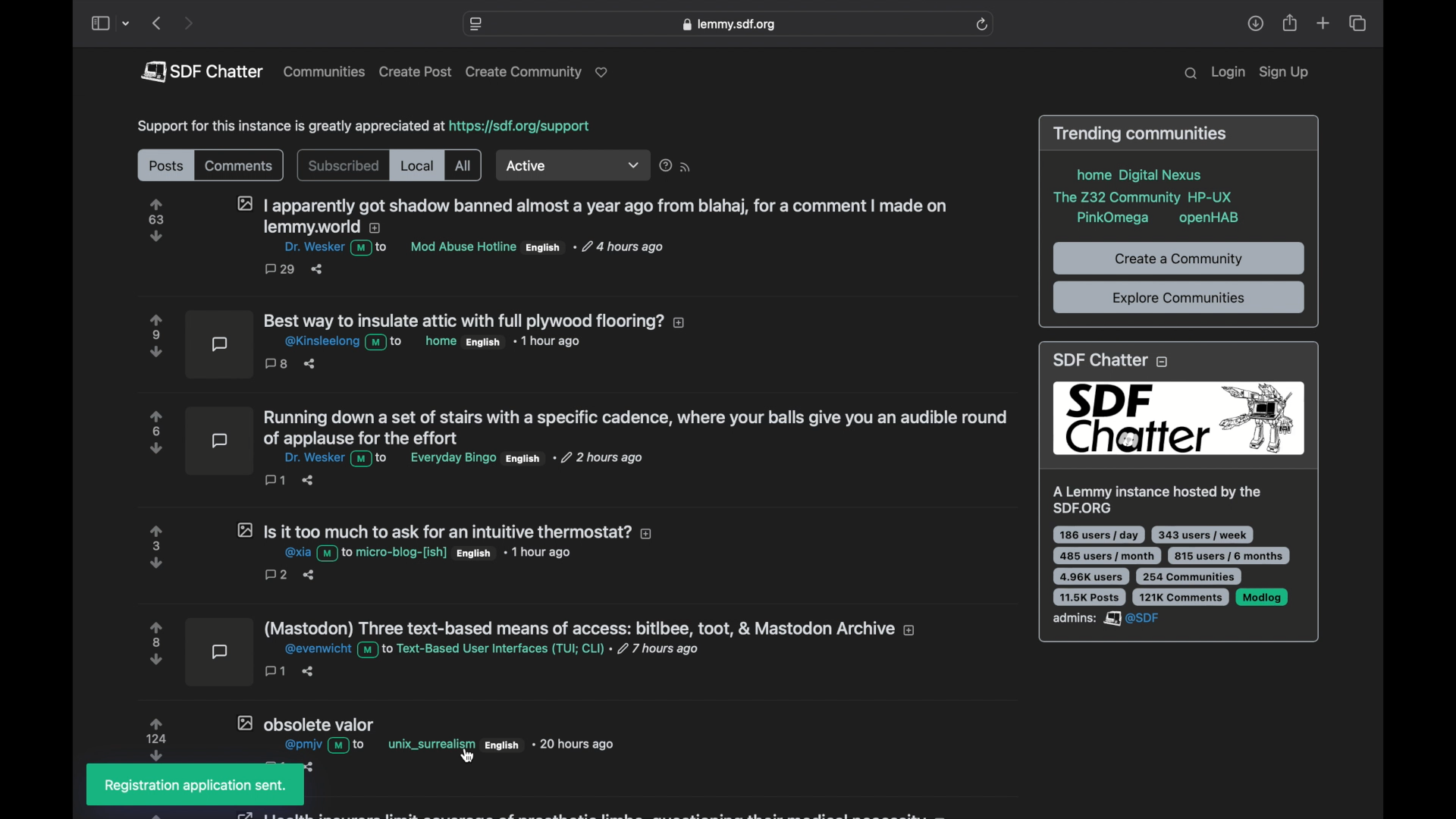 The height and width of the screenshot is (819, 1456). I want to click on post, so click(576, 447).